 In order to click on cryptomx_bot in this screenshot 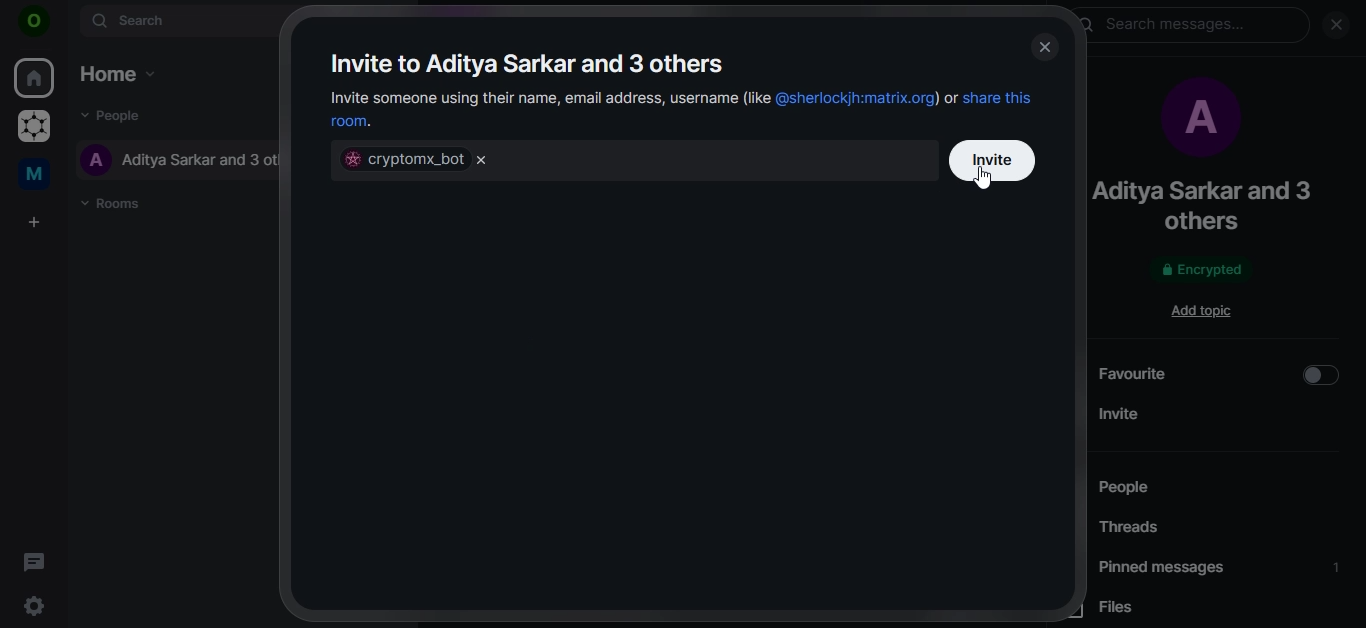, I will do `click(429, 160)`.